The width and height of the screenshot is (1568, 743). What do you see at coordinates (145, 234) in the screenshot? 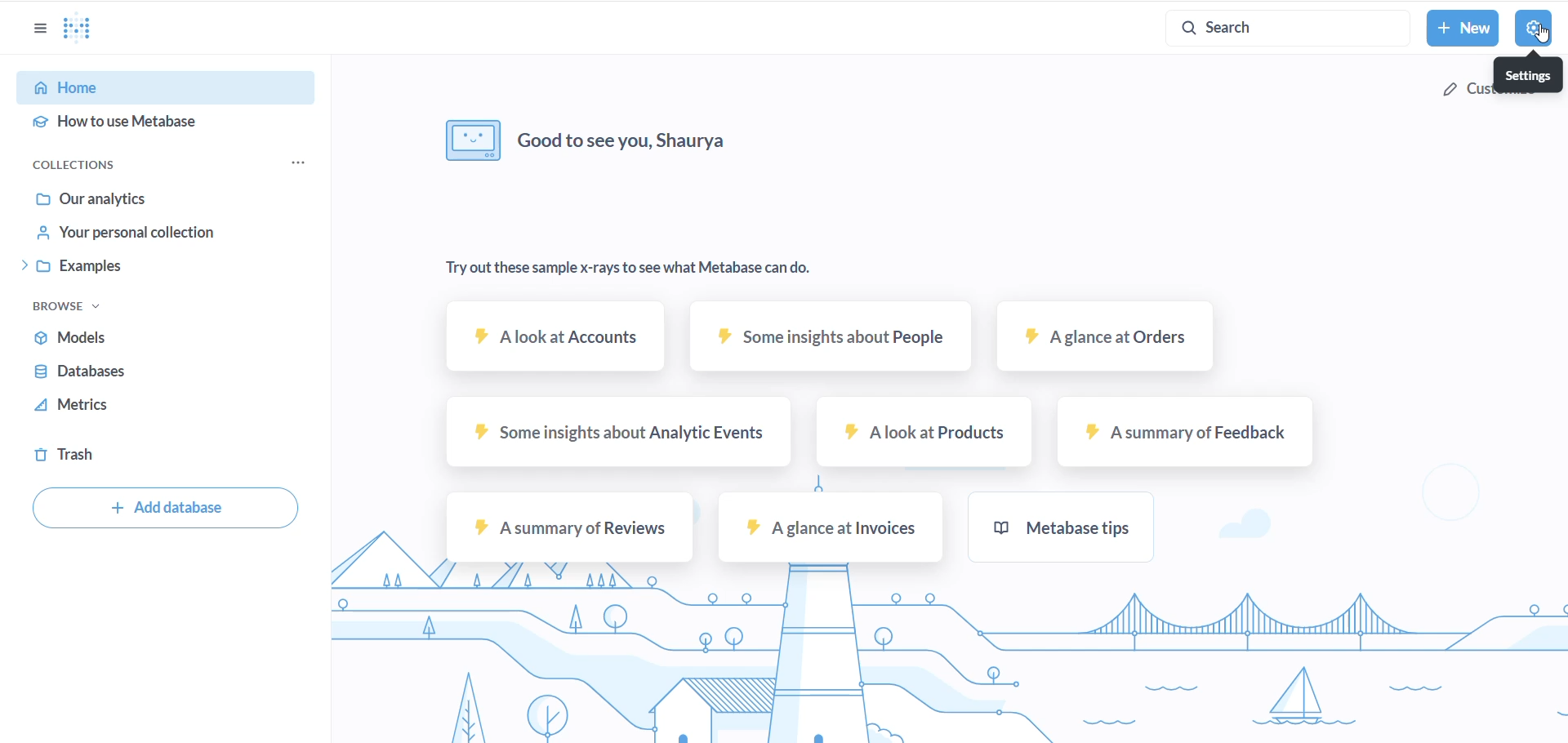
I see `YOUR PERSONAL COLLECTION` at bounding box center [145, 234].